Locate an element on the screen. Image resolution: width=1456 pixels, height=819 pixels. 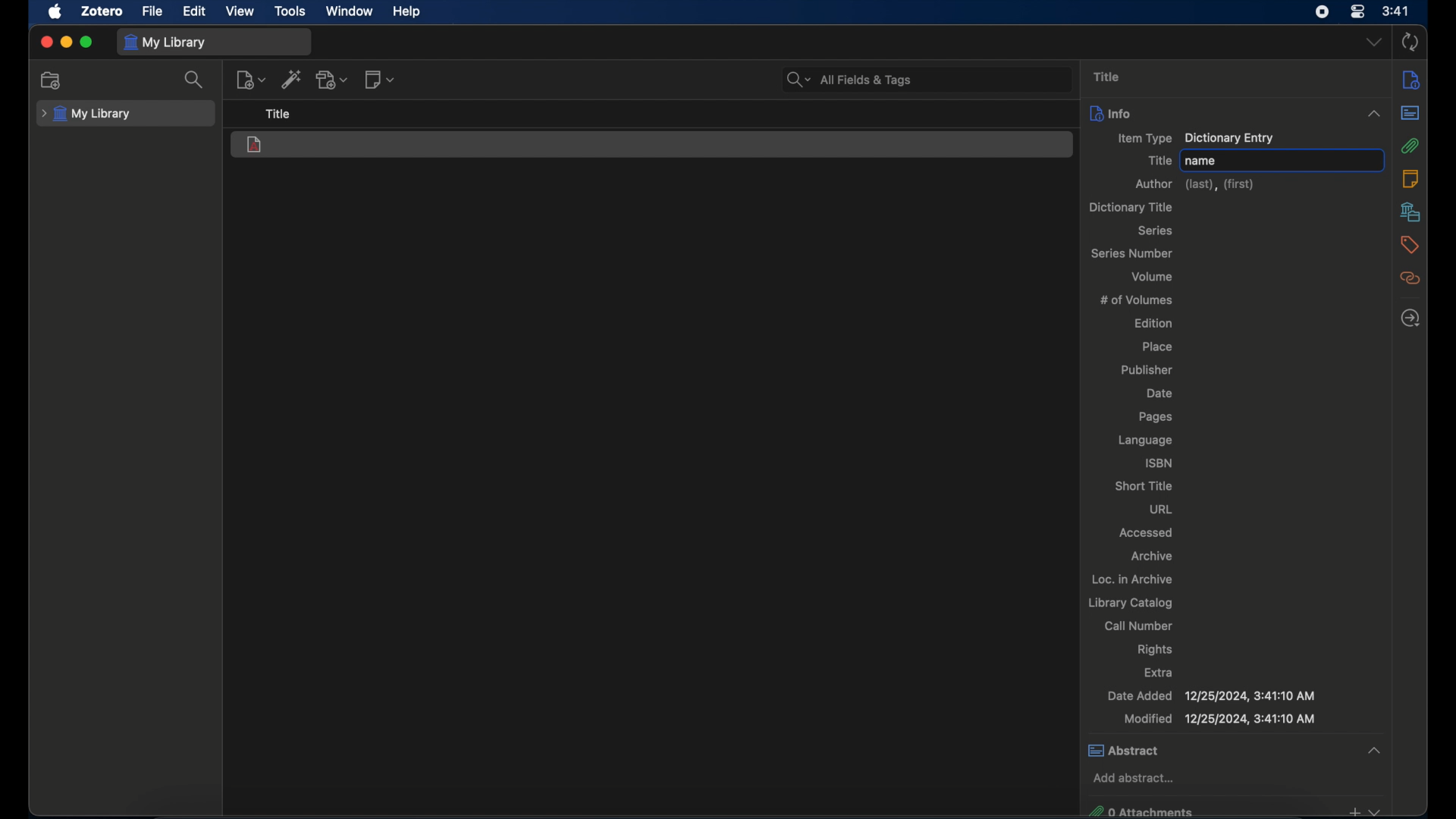
new collection is located at coordinates (52, 80).